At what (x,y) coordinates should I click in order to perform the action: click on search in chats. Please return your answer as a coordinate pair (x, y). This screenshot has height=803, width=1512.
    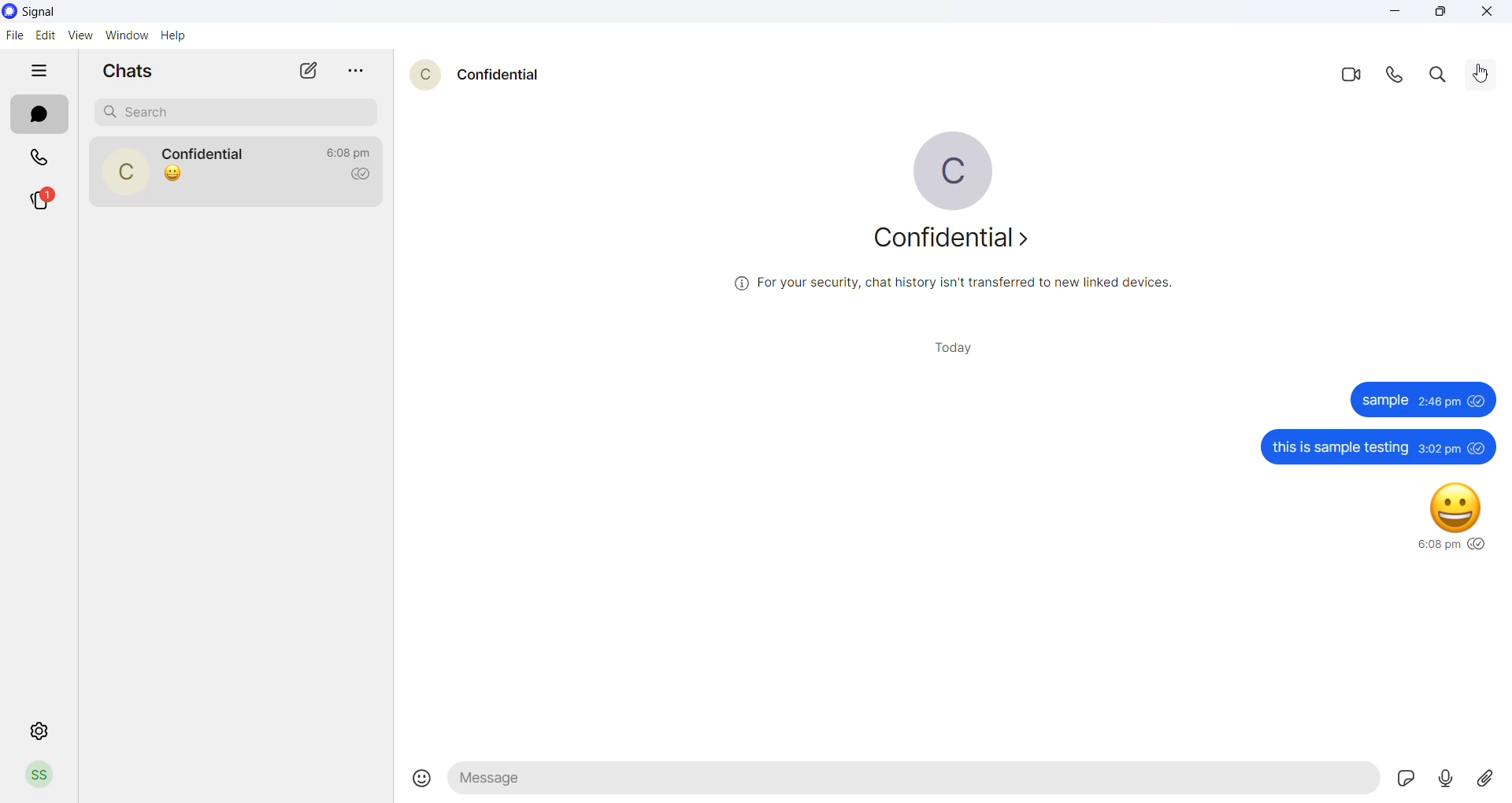
    Looking at the image, I should click on (1440, 72).